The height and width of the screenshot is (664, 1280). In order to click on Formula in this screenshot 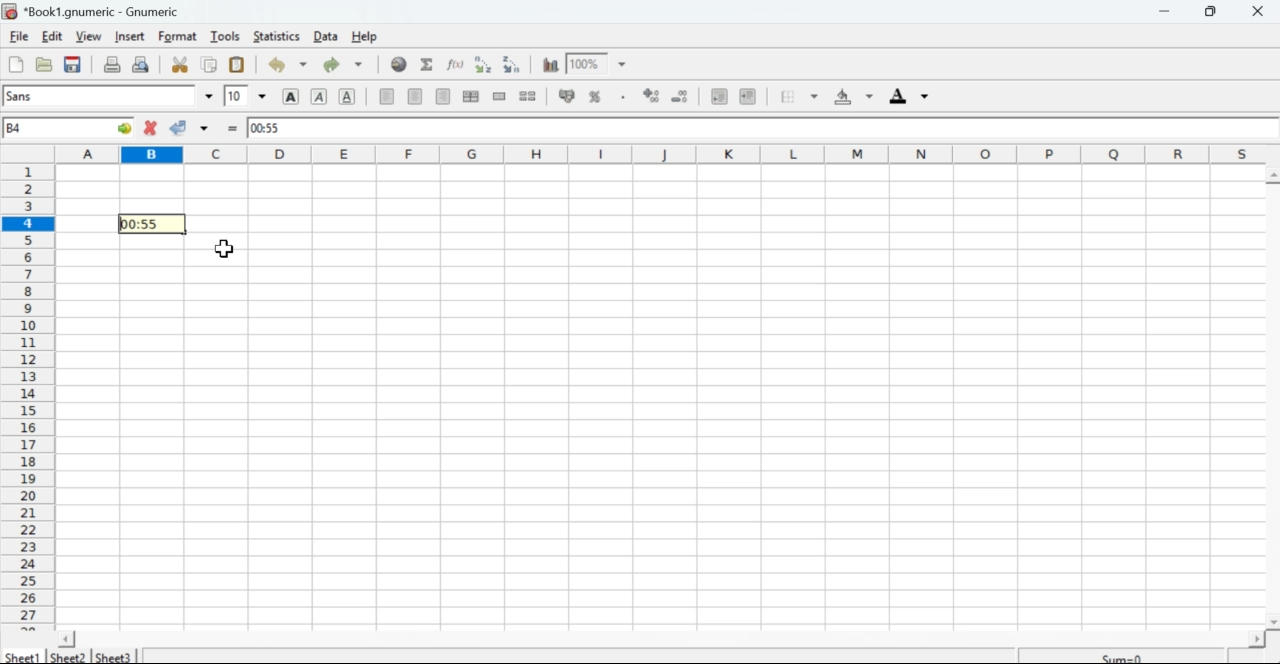, I will do `click(428, 64)`.